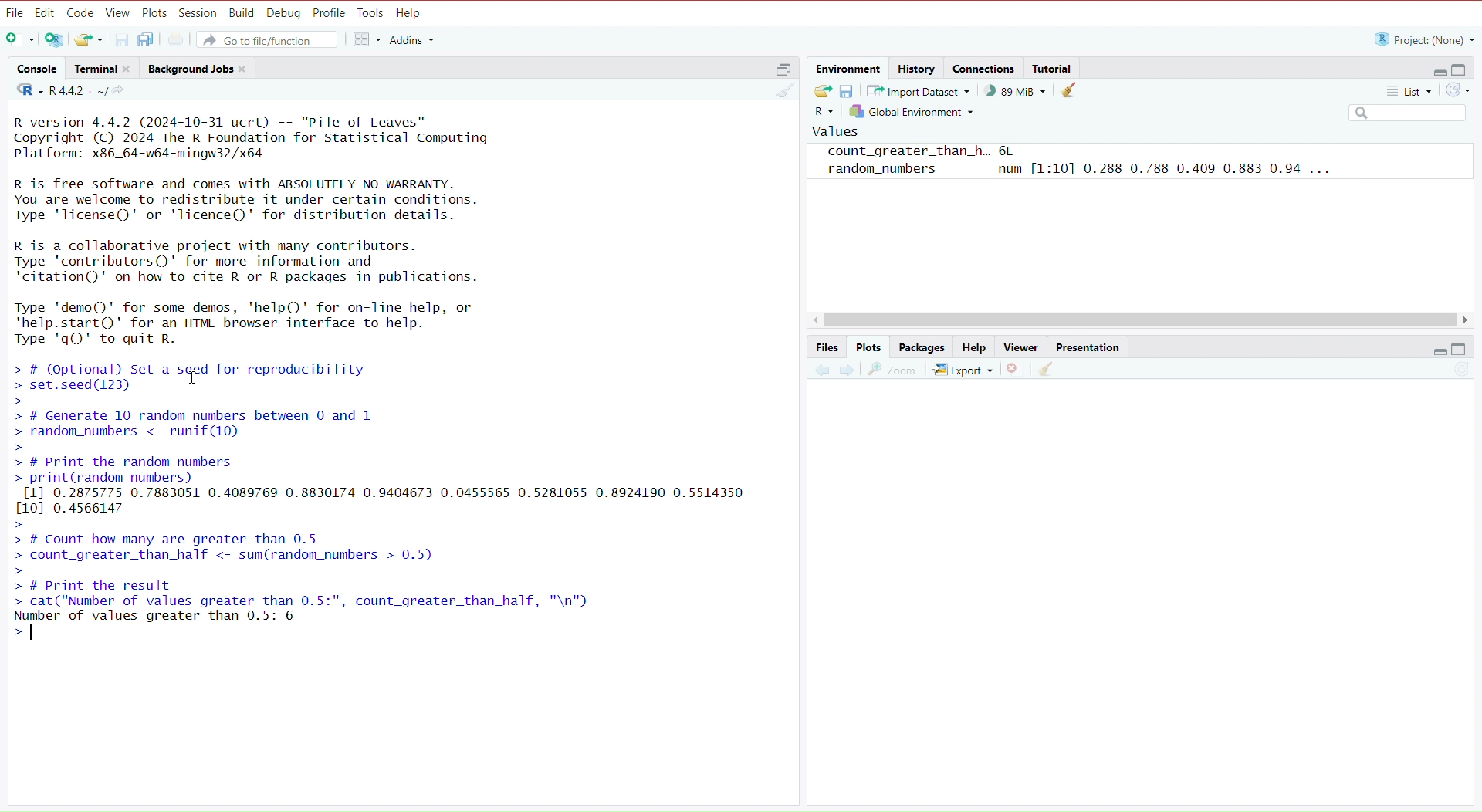  I want to click on Go to file/function, so click(268, 39).